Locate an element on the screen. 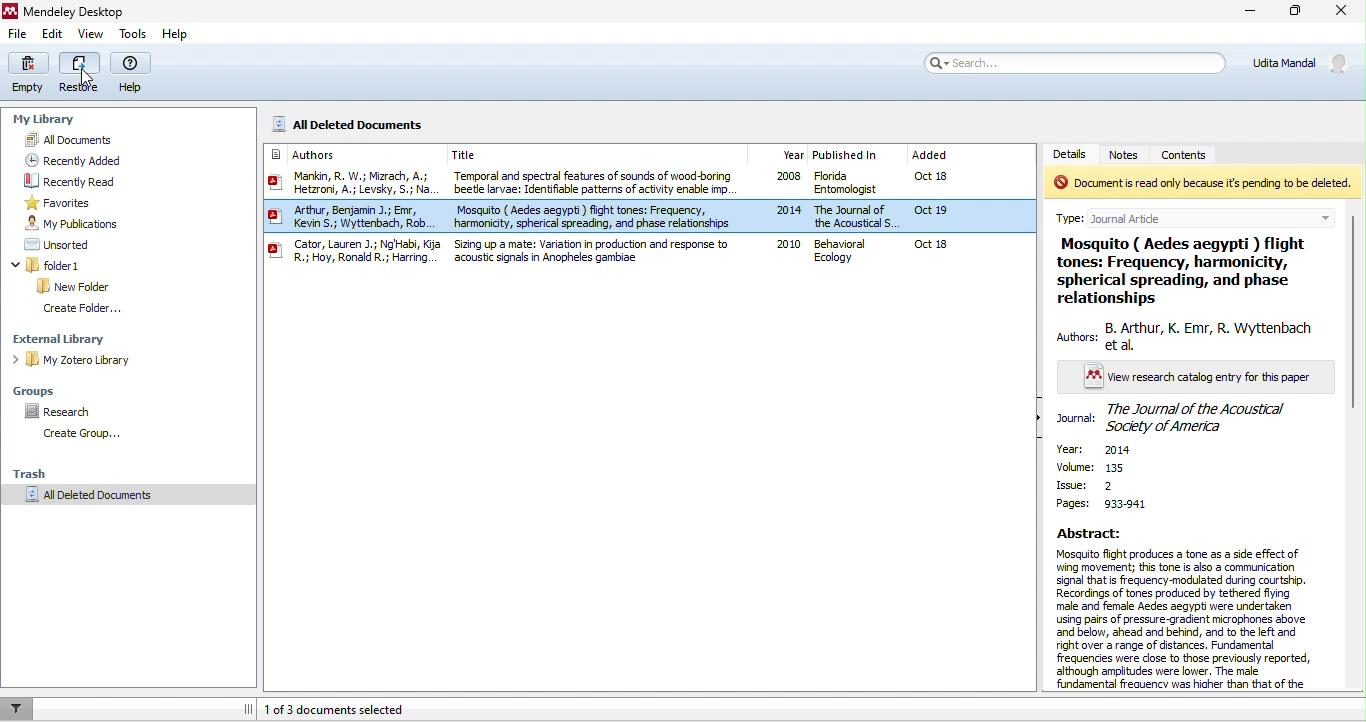 This screenshot has height=722, width=1366. ES SA E————
beetle larvae: Identifiable pattems of activity enable mp.
Mosauito Aedes aegypti) fight tones: Frequency,
harmoniiy, spherical spreading, and phase relationships

a Sizing up 3 mate: Variation n production and response to
‘acoustic signals in Anopheles gambiae is located at coordinates (594, 219).